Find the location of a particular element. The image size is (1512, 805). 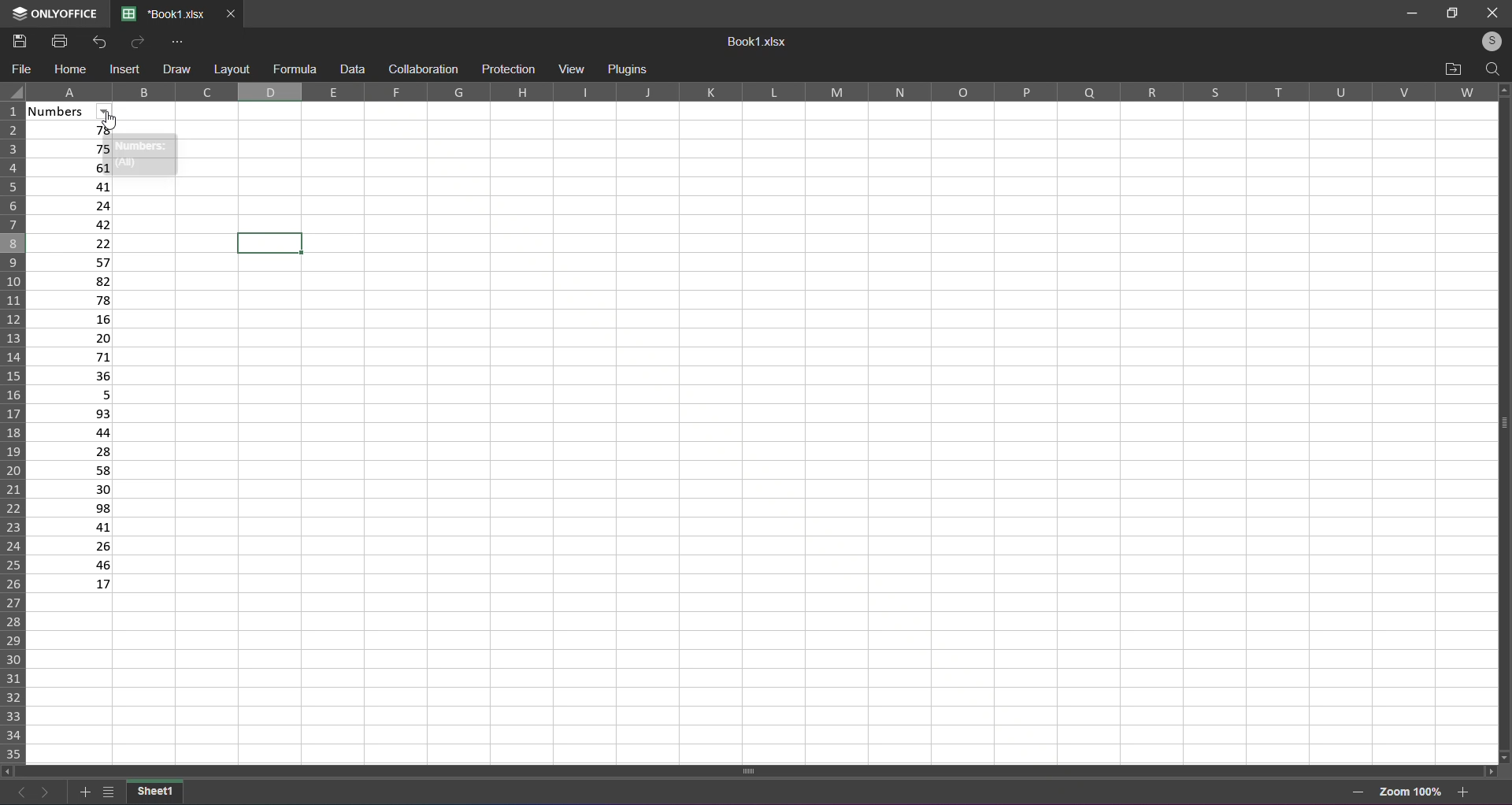

46 is located at coordinates (71, 565).